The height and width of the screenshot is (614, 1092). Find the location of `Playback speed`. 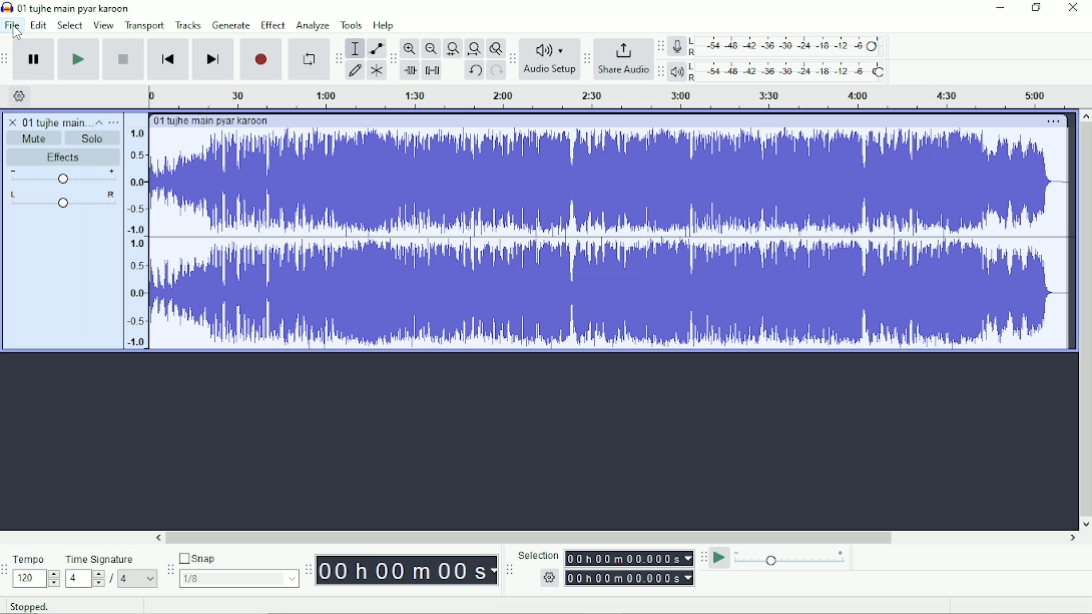

Playback speed is located at coordinates (792, 558).